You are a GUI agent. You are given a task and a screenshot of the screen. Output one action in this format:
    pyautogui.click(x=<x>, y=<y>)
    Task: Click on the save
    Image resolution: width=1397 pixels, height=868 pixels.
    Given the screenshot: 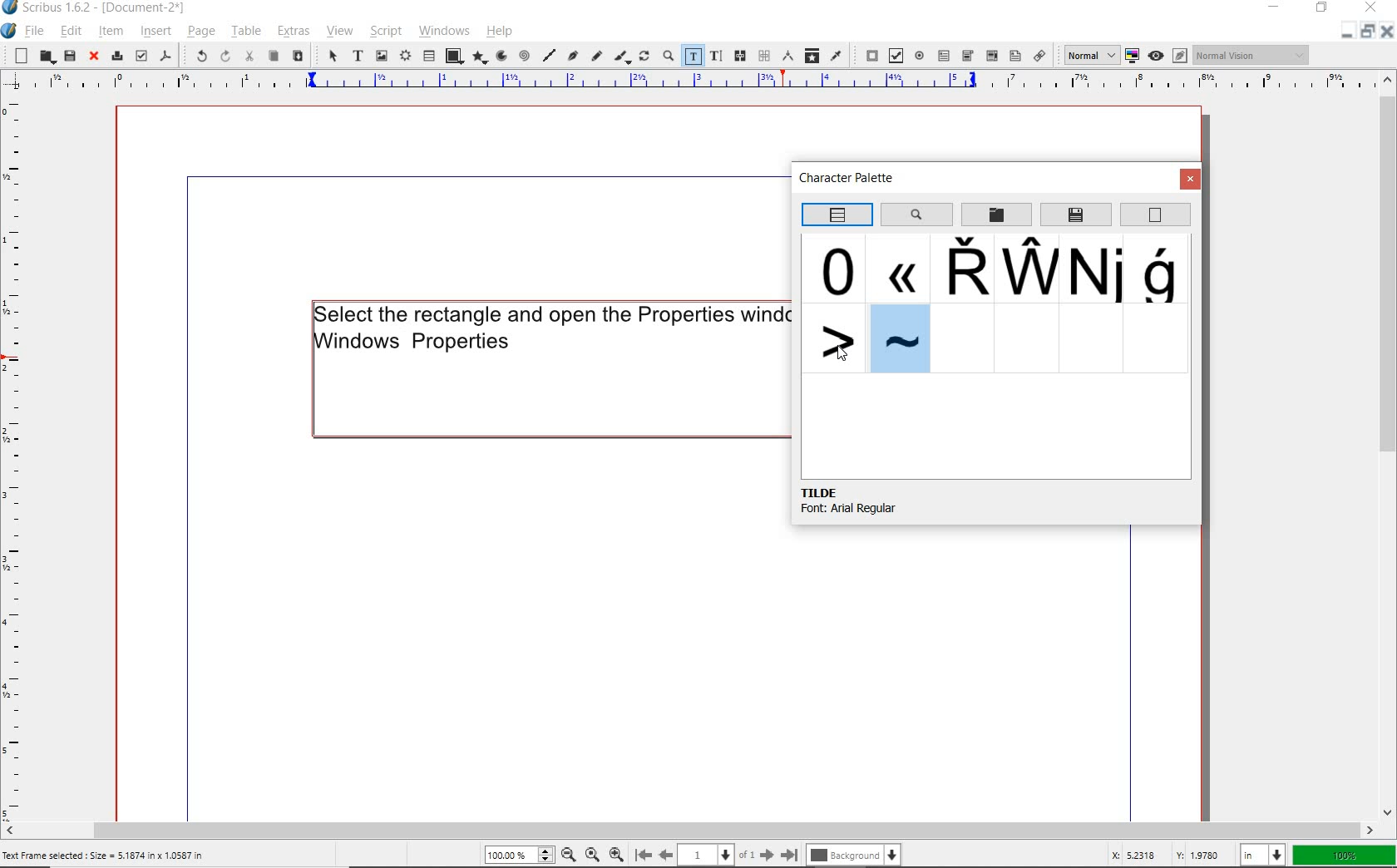 What is the action you would take?
    pyautogui.click(x=69, y=56)
    